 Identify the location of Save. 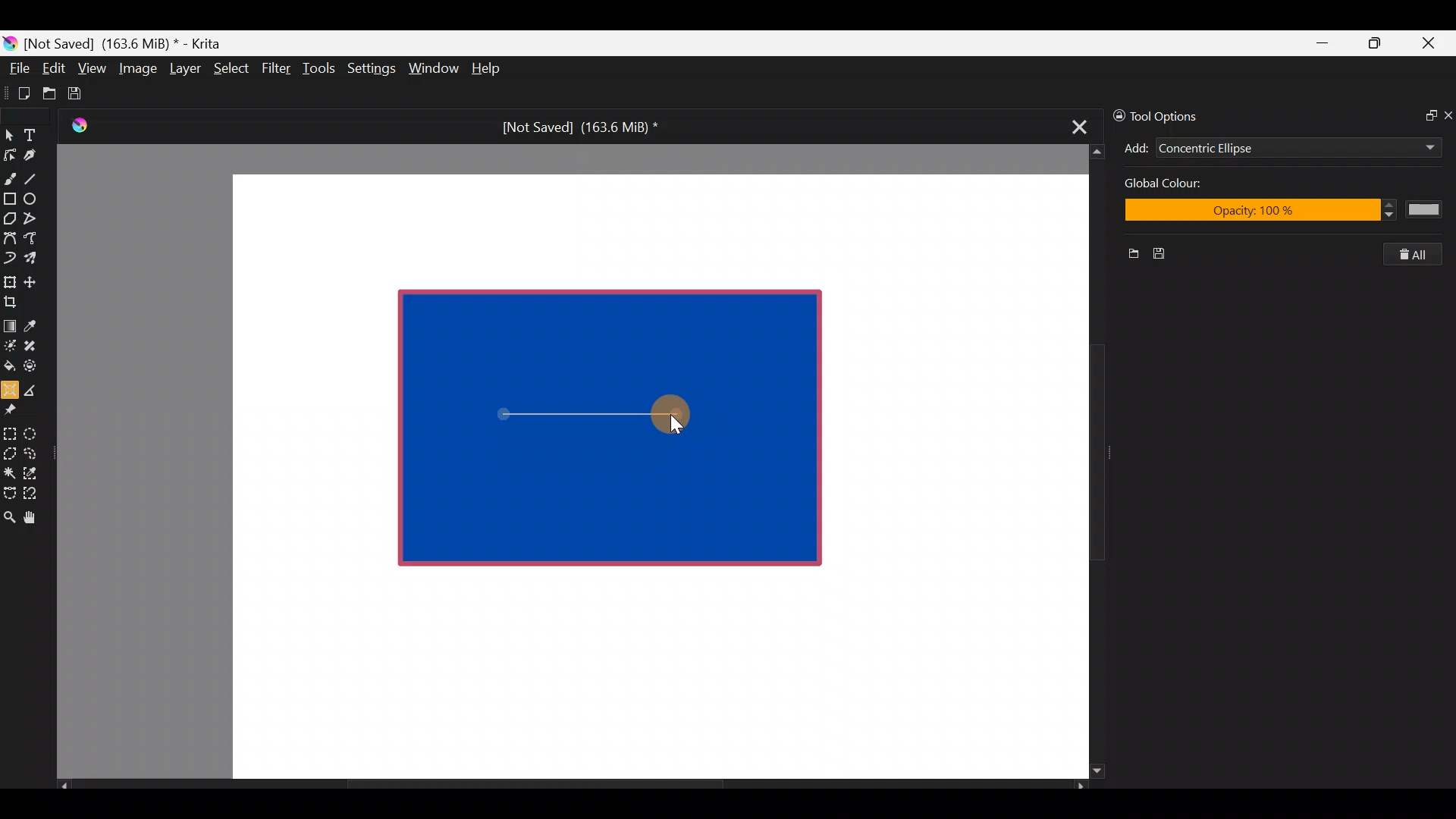
(85, 93).